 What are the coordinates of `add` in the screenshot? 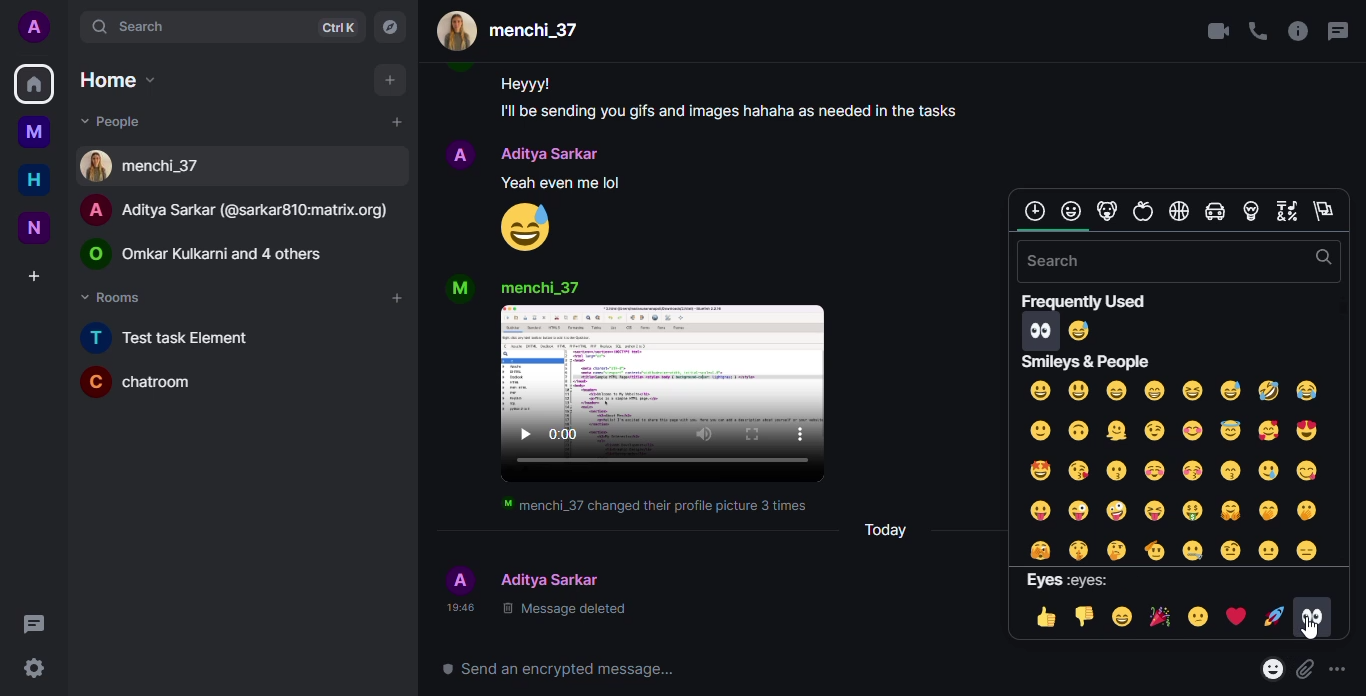 It's located at (395, 122).